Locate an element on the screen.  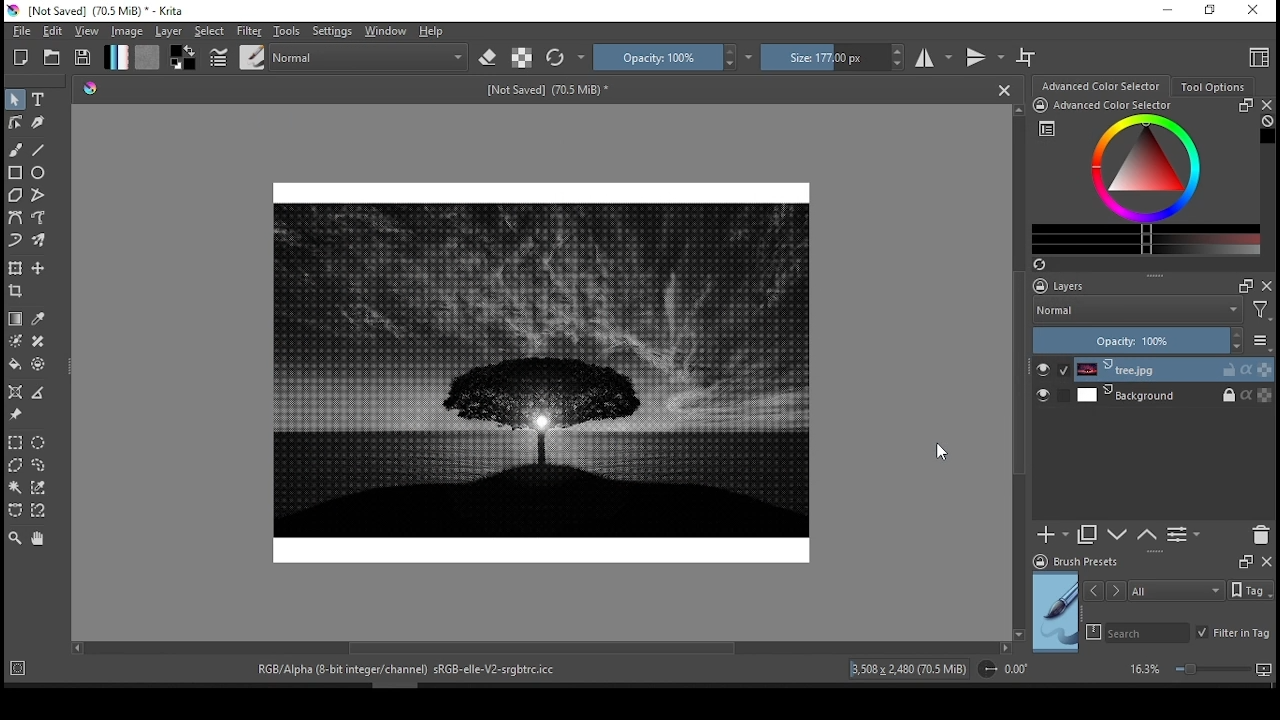
 ellipse selection tool is located at coordinates (38, 442).